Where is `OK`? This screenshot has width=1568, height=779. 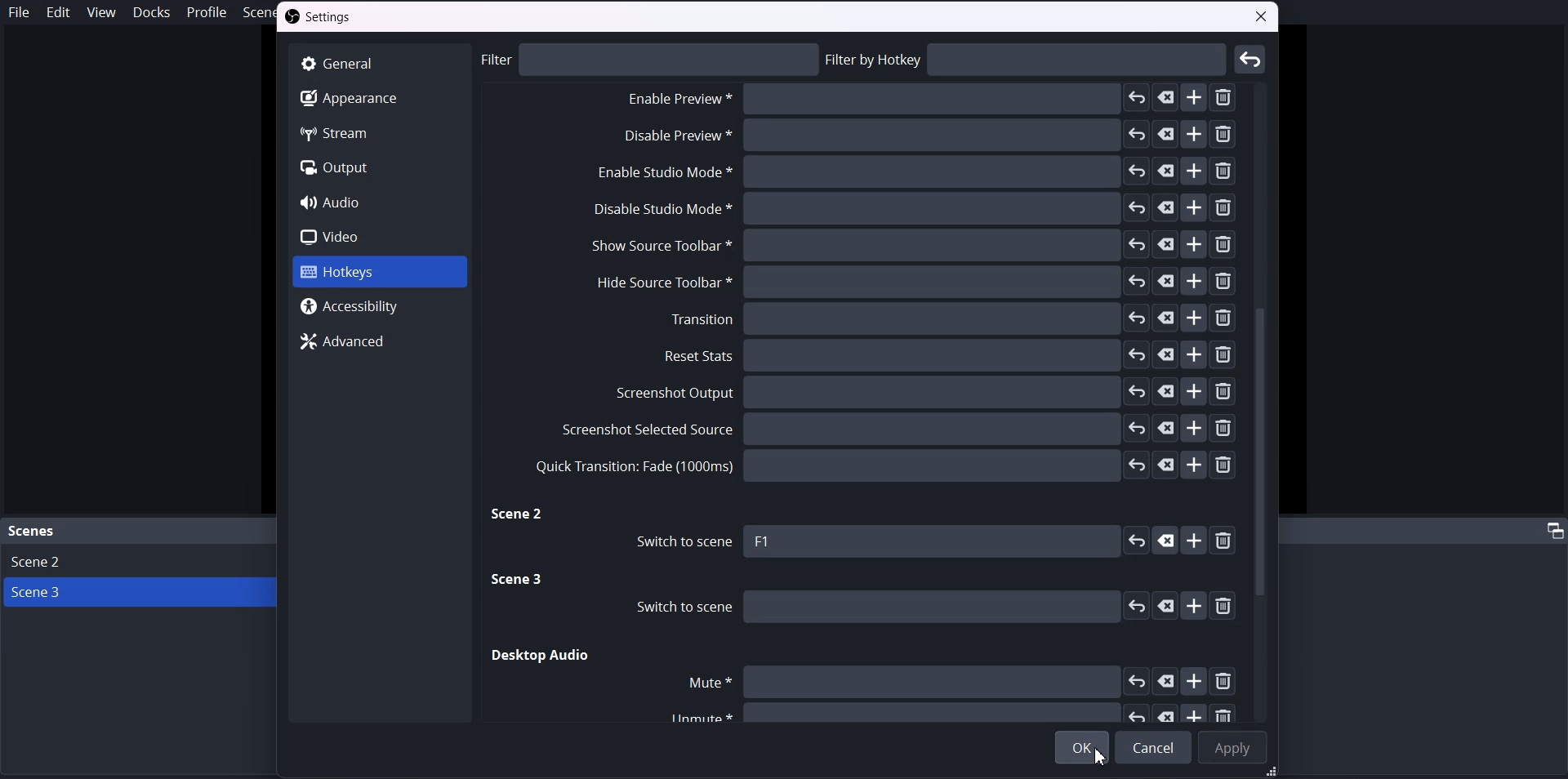 OK is located at coordinates (1083, 747).